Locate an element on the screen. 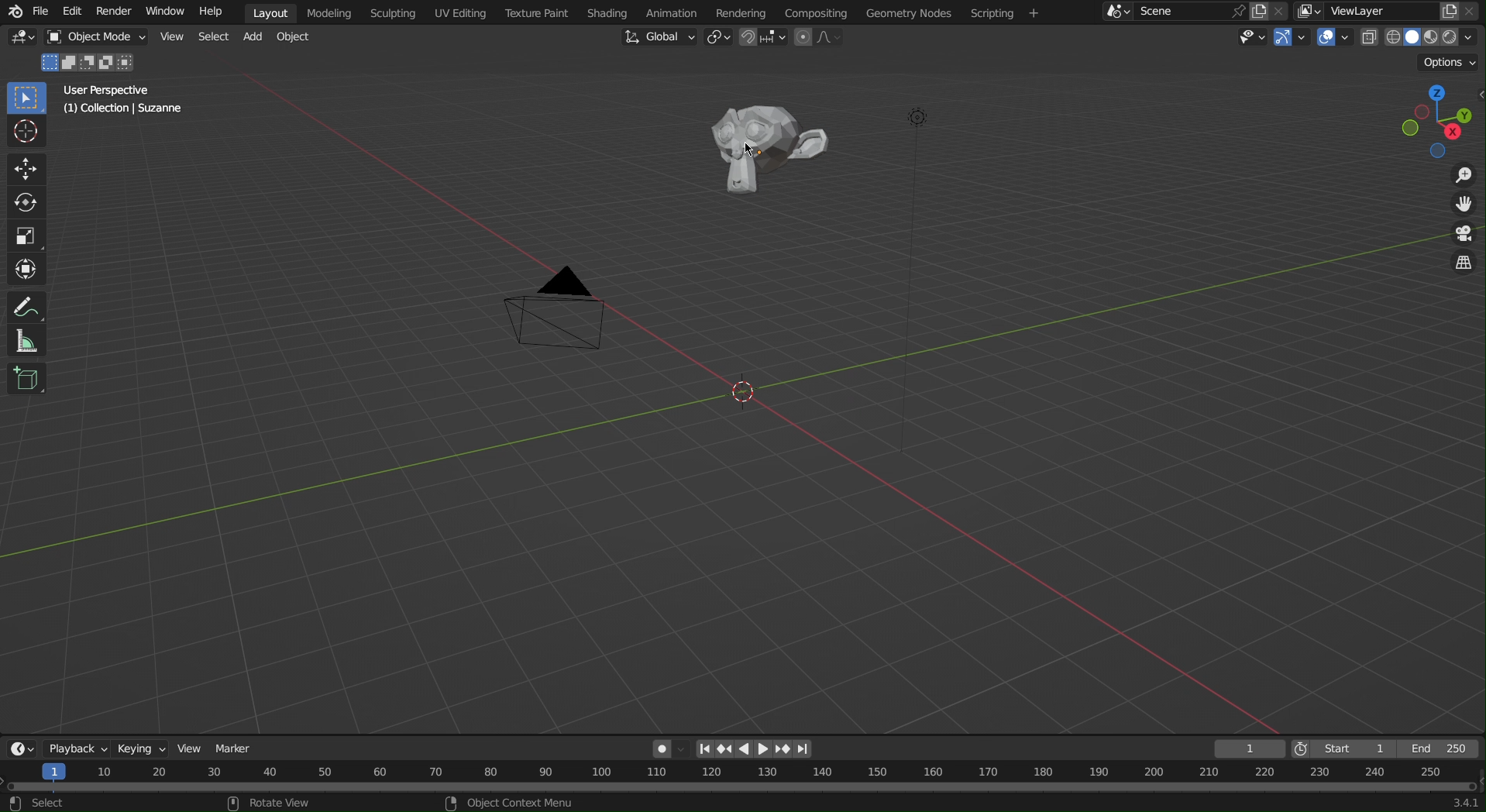  Transform is located at coordinates (24, 270).